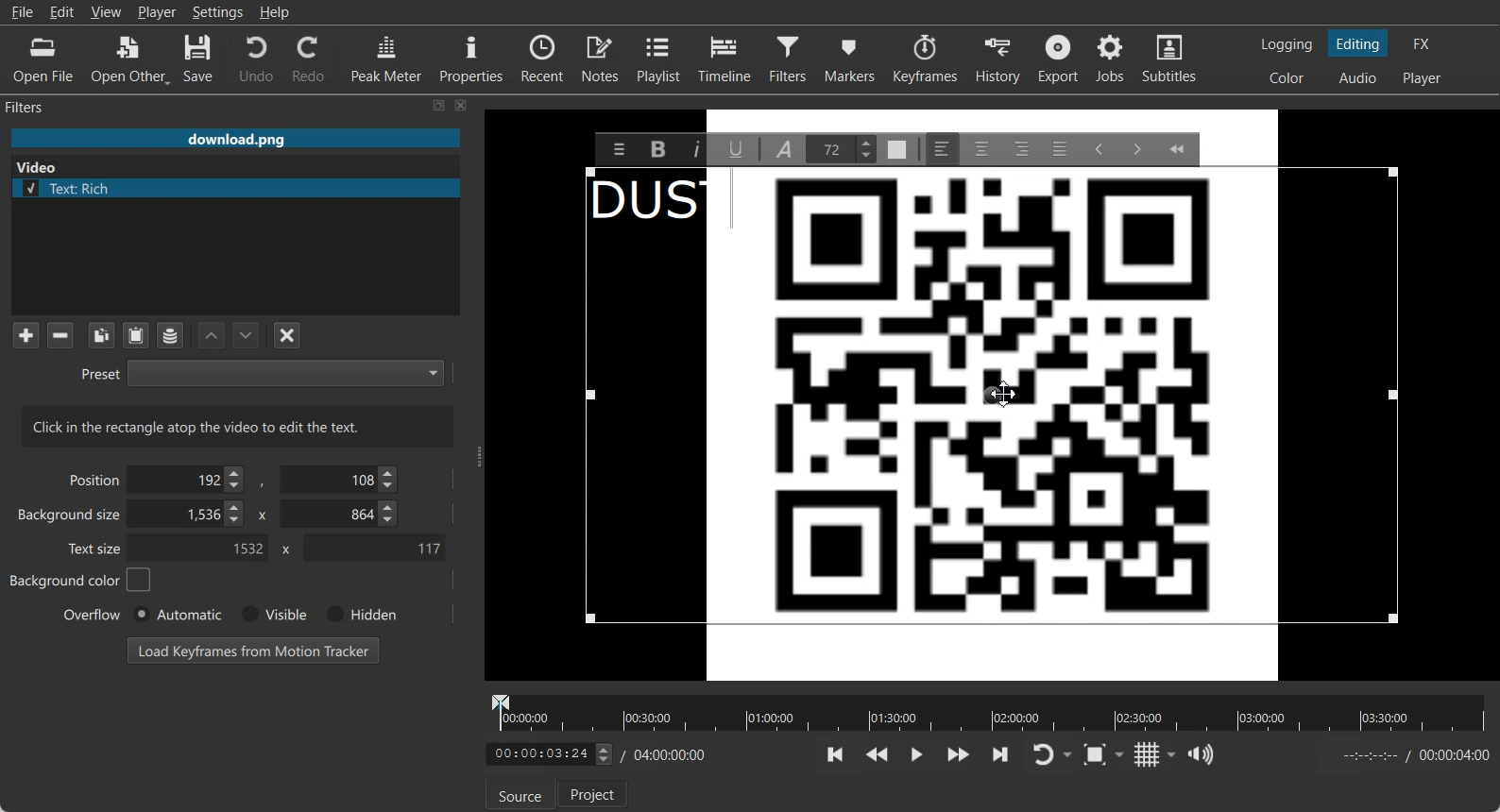 The width and height of the screenshot is (1500, 812). Describe the element at coordinates (1201, 755) in the screenshot. I see `Show the volume control` at that location.